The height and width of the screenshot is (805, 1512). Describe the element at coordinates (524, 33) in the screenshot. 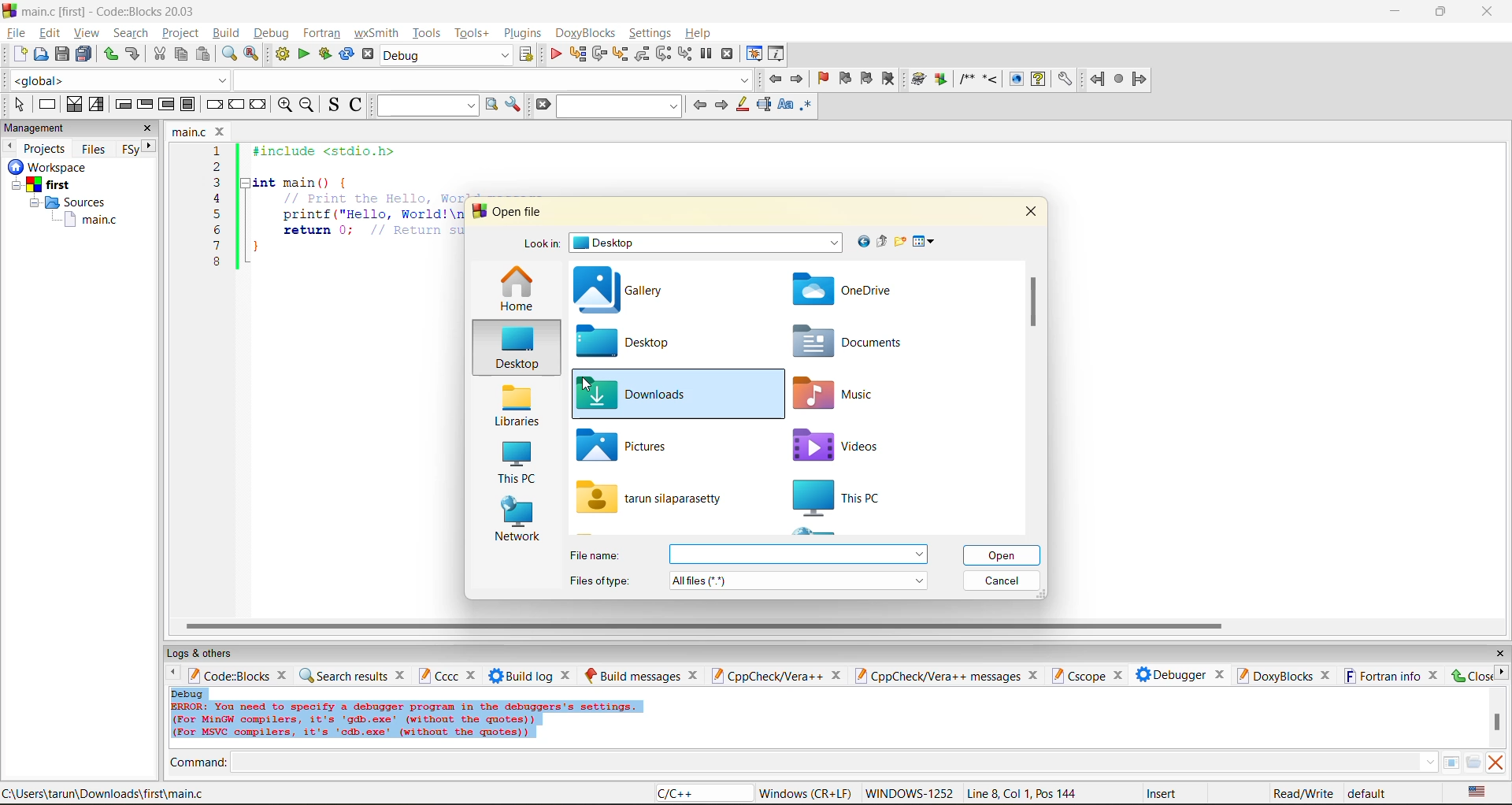

I see `plugins` at that location.